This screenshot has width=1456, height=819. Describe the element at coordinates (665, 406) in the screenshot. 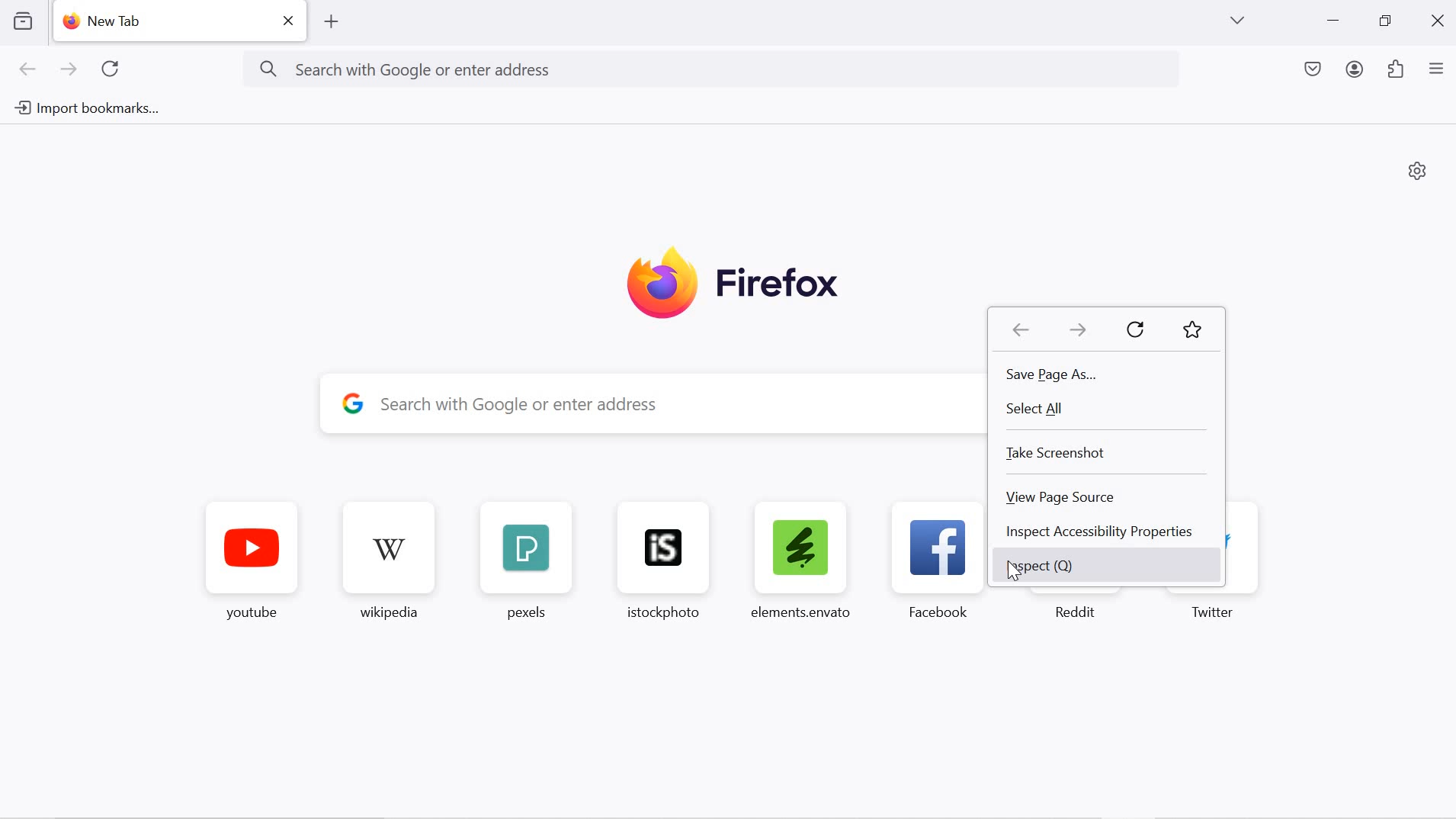

I see `search bar` at that location.